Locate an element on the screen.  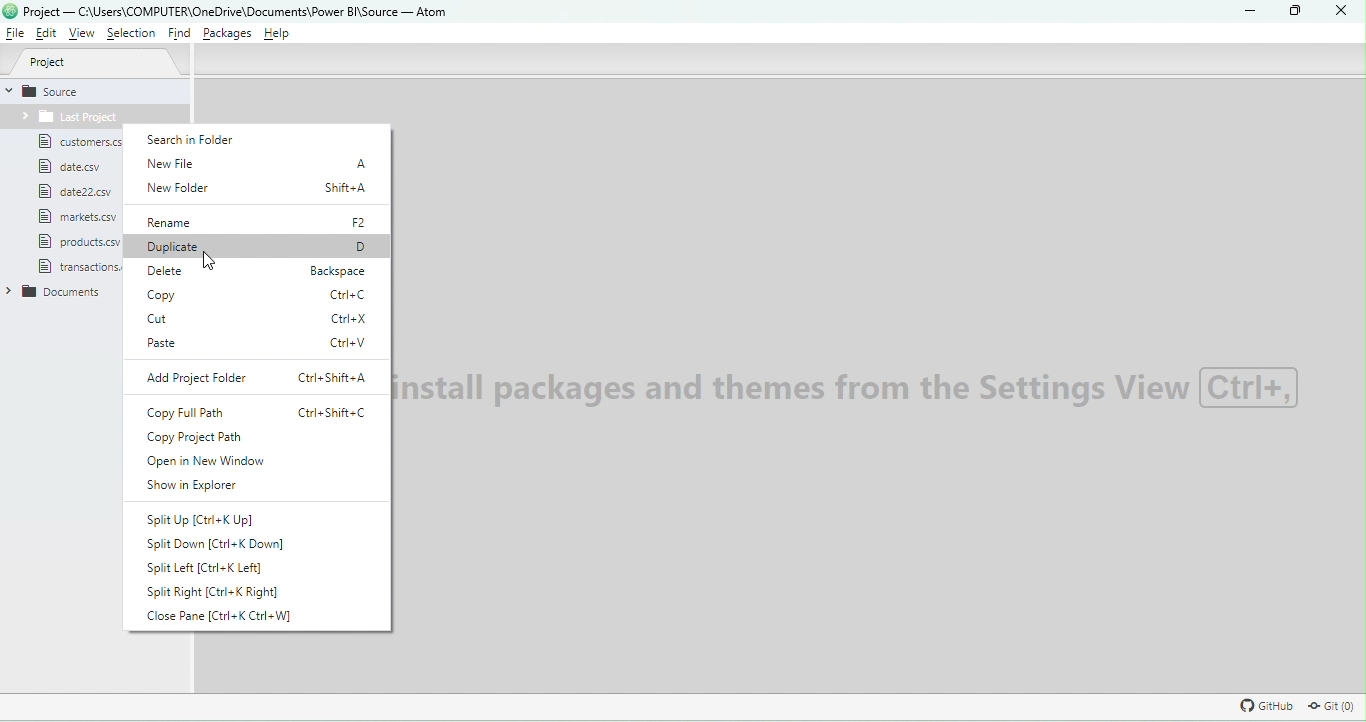
 is located at coordinates (14, 33).